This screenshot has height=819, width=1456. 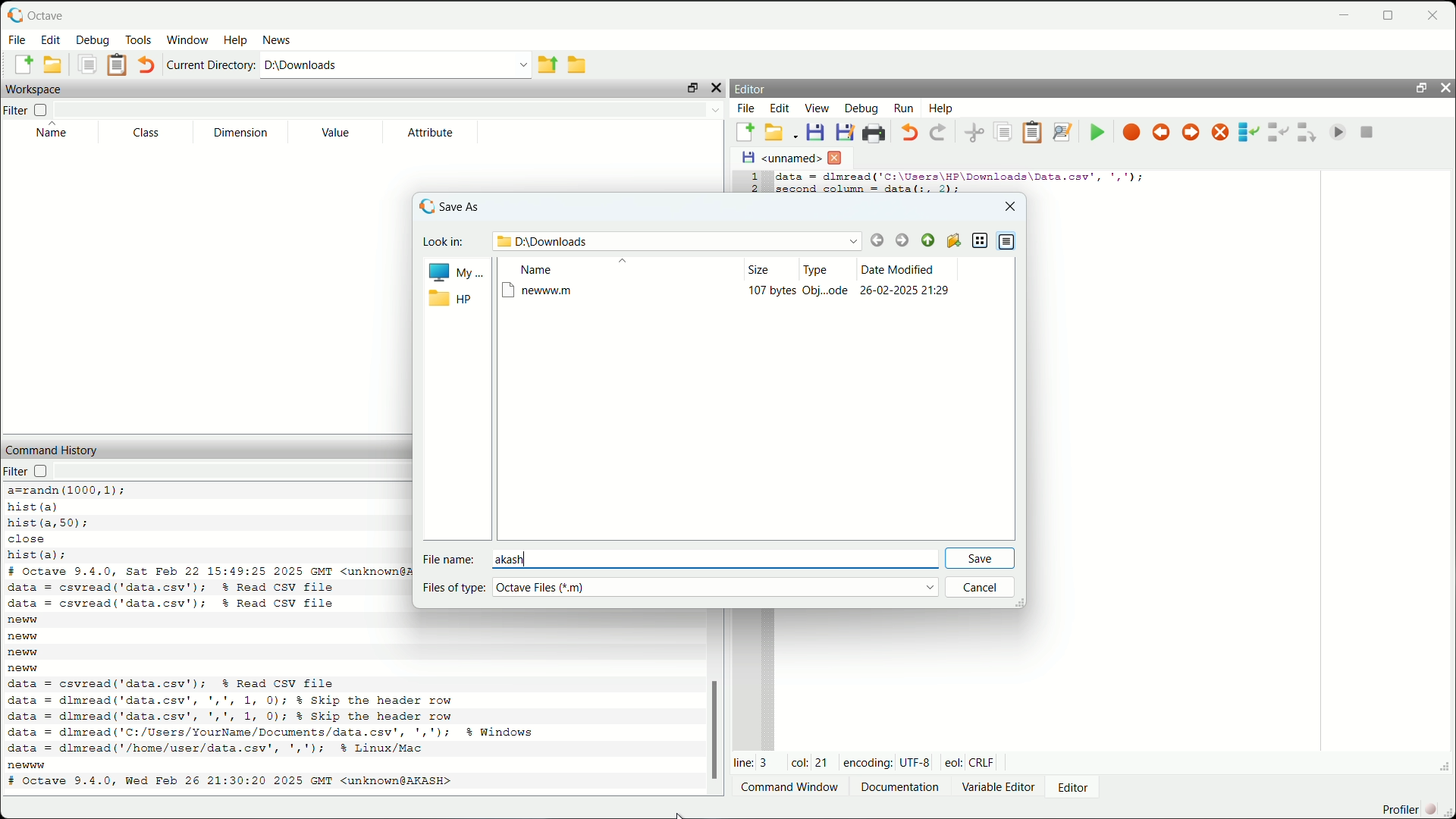 What do you see at coordinates (877, 132) in the screenshot?
I see `print` at bounding box center [877, 132].